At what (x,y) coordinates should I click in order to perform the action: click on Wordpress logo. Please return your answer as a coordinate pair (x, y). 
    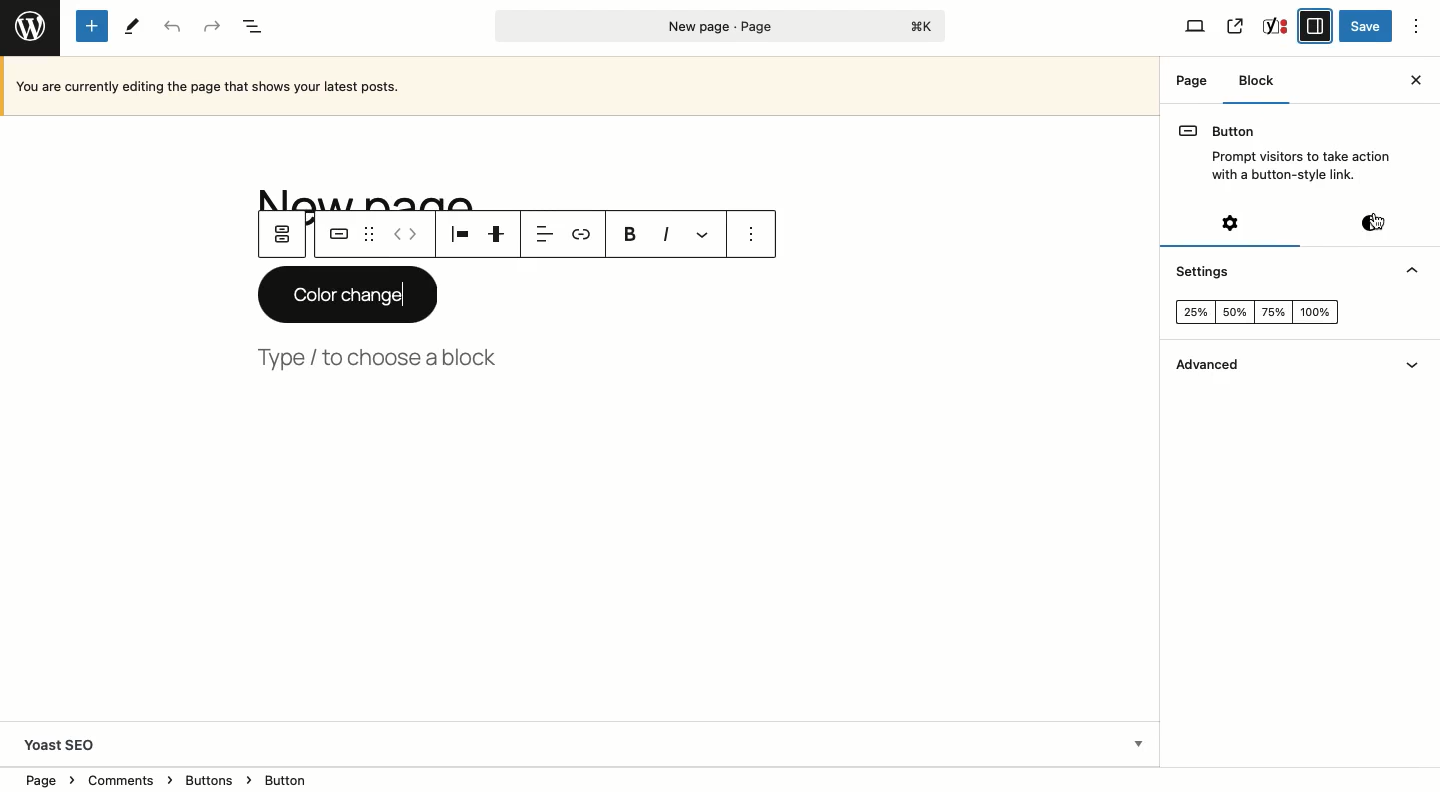
    Looking at the image, I should click on (30, 26).